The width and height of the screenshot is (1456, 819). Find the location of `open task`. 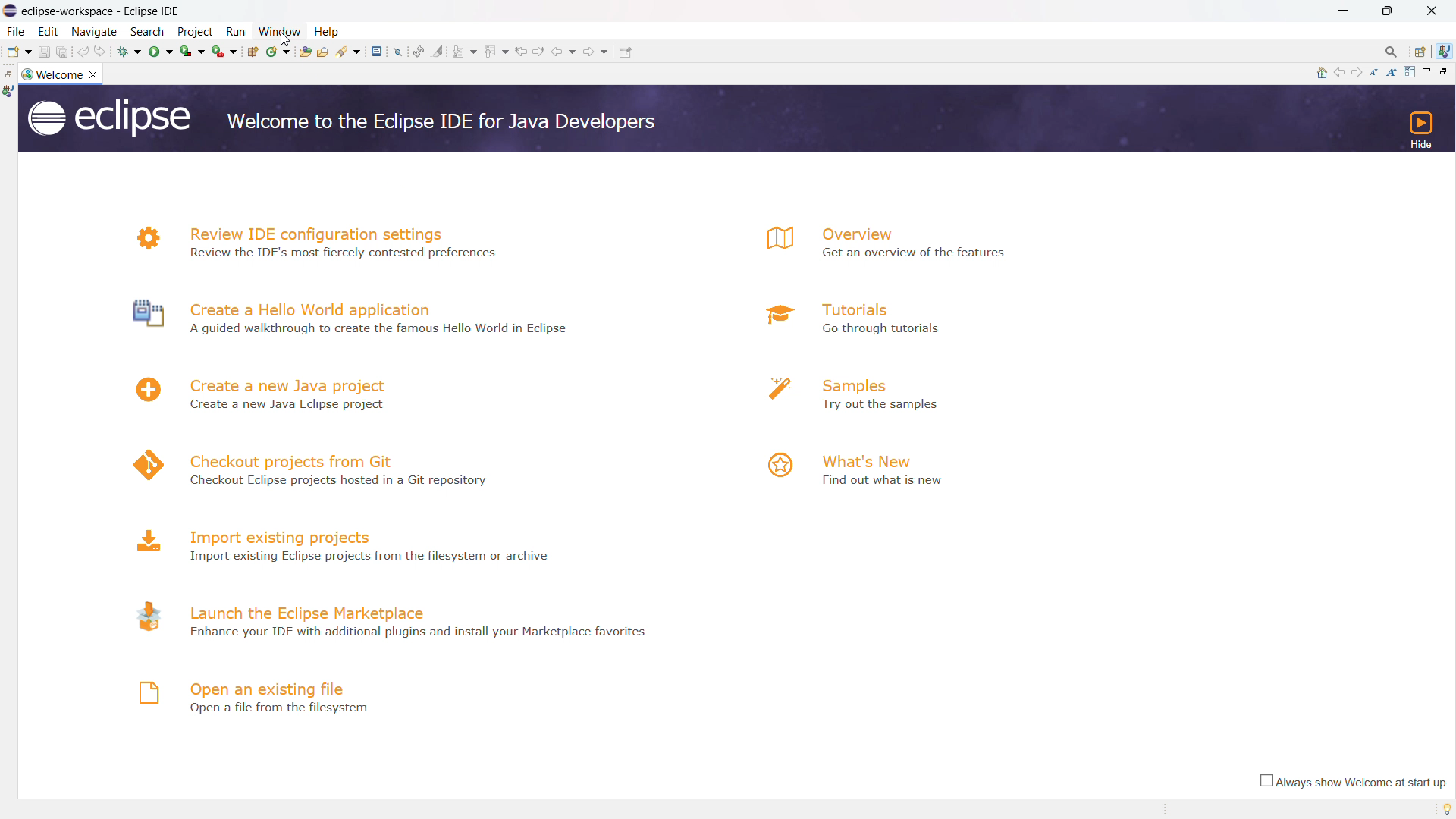

open task is located at coordinates (322, 52).